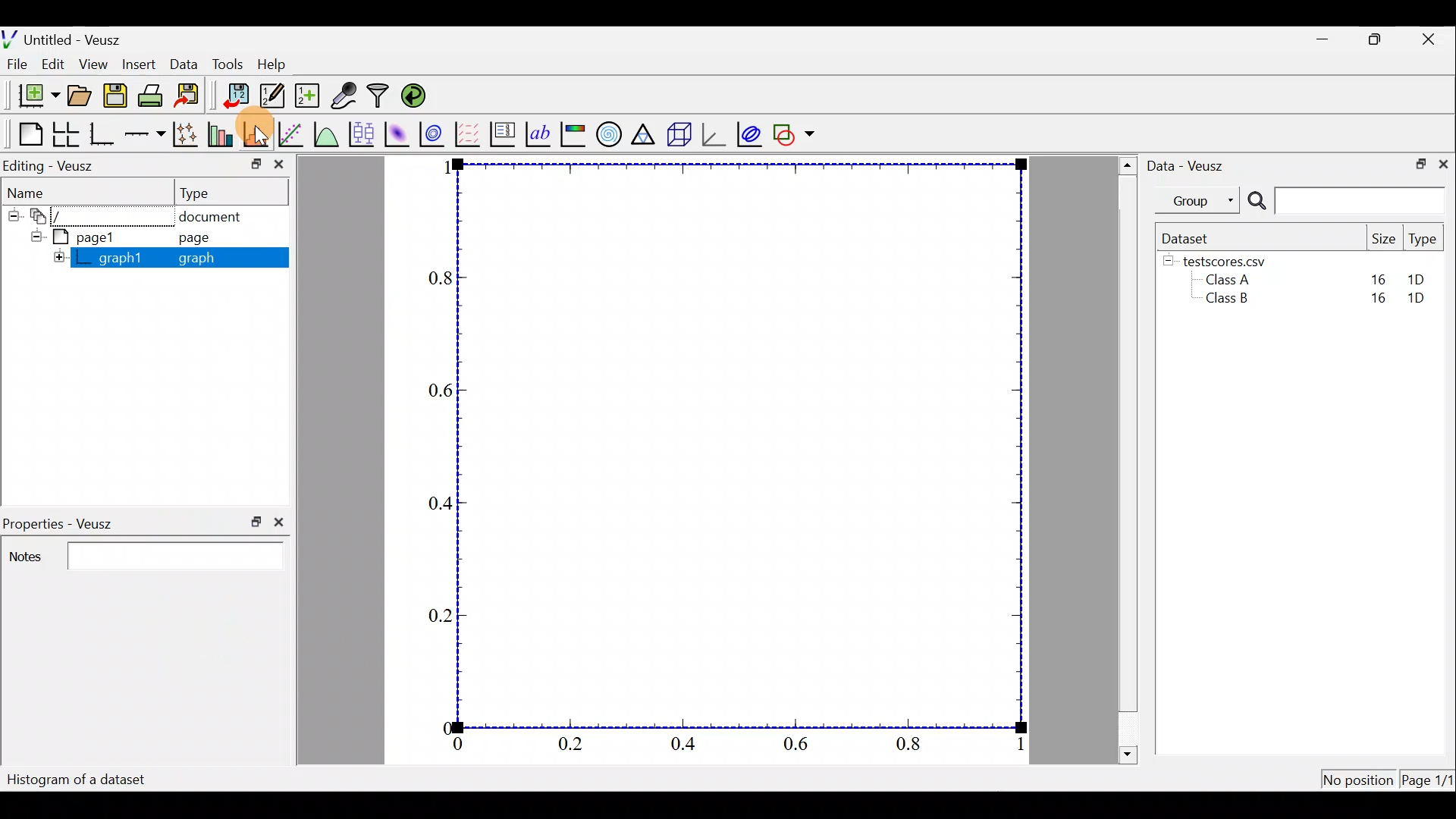 The width and height of the screenshot is (1456, 819). I want to click on Restore down, so click(1379, 40).